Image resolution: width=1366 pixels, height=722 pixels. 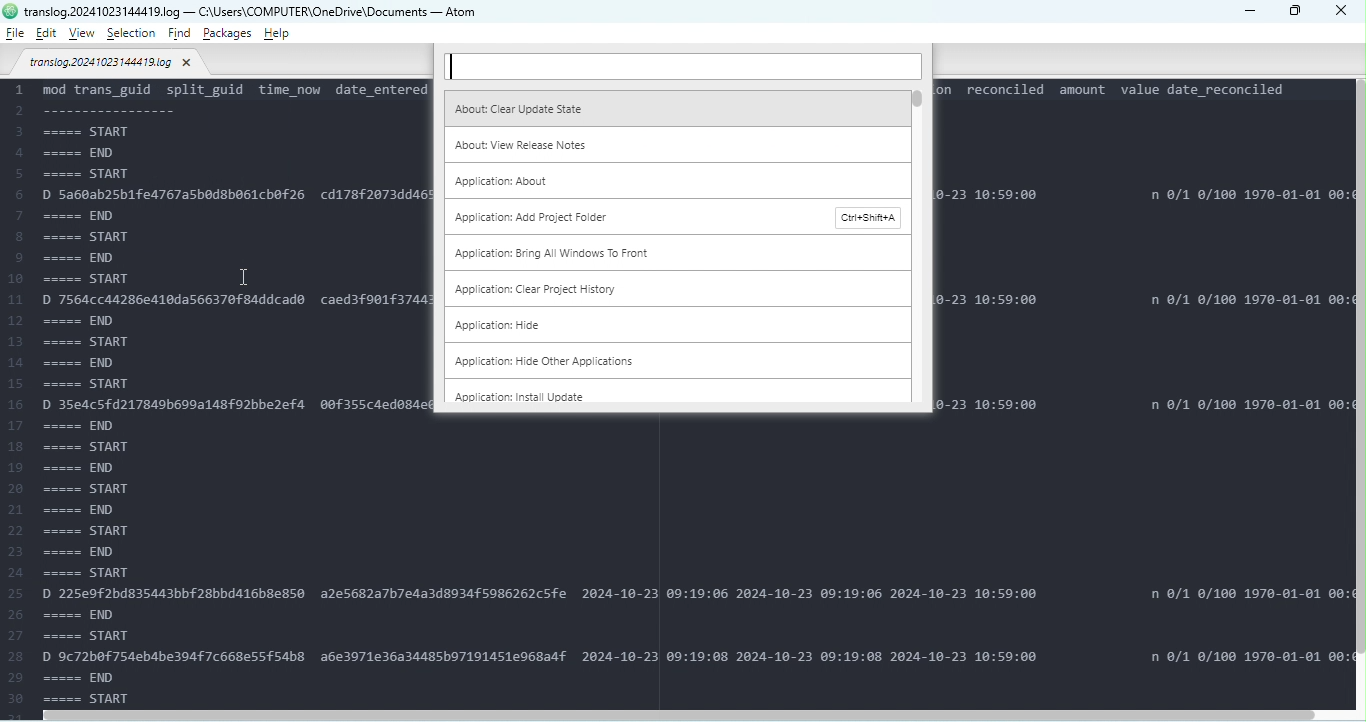 What do you see at coordinates (1358, 396) in the screenshot?
I see `Vertical scroll bar` at bounding box center [1358, 396].